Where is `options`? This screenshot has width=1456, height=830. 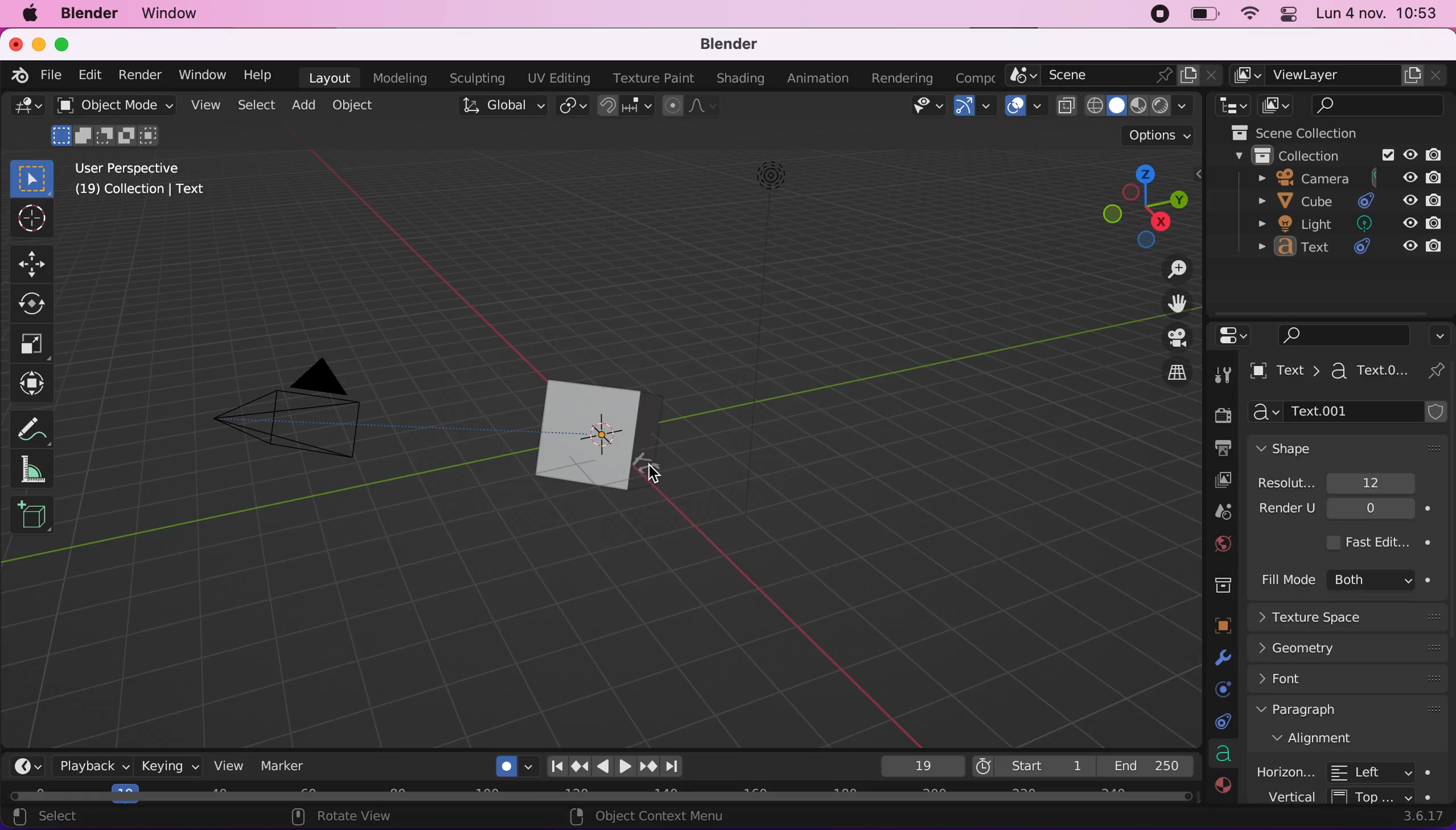
options is located at coordinates (1441, 332).